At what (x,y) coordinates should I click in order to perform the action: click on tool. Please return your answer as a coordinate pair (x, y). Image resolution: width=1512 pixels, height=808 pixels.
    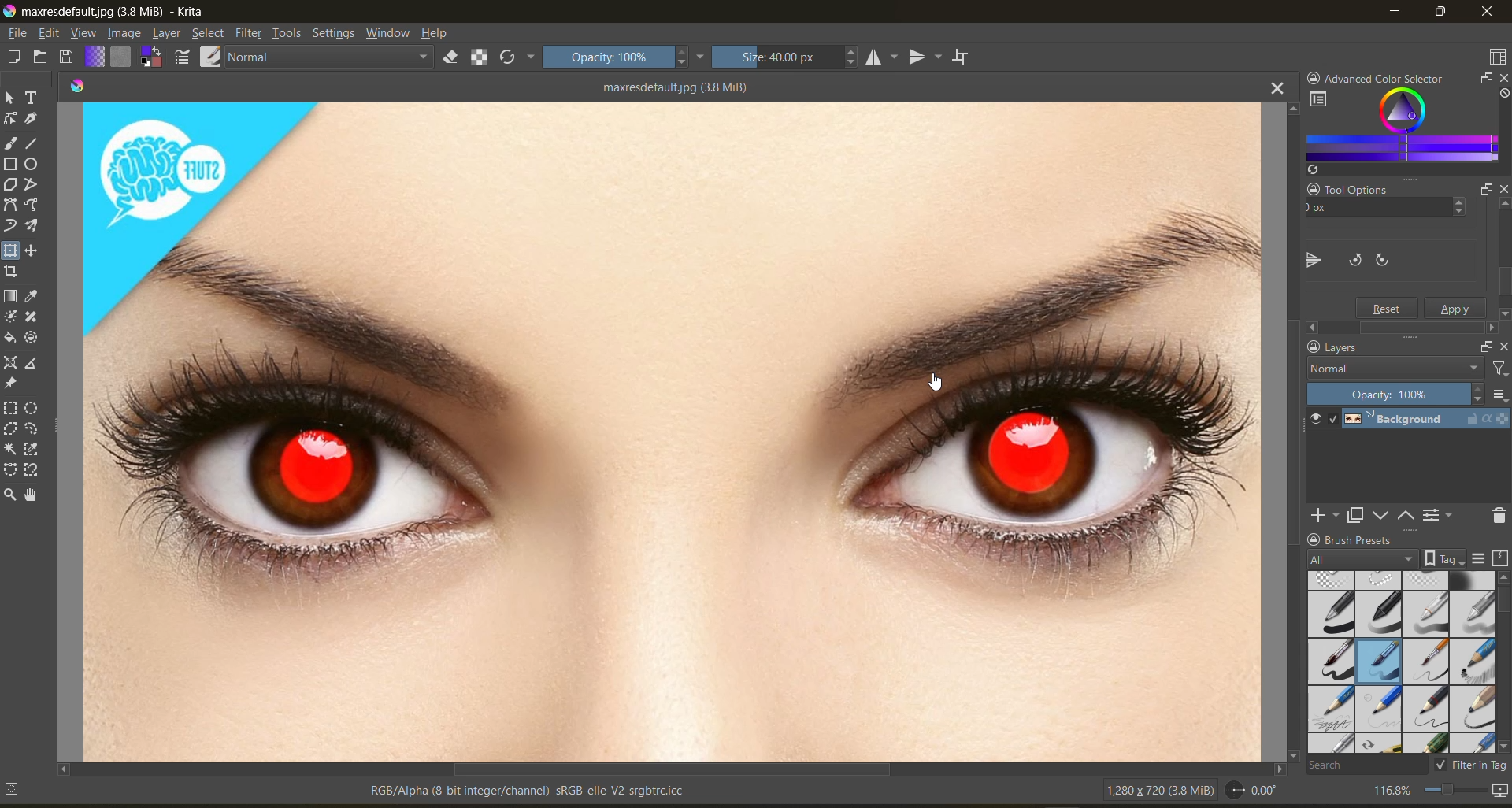
    Looking at the image, I should click on (33, 297).